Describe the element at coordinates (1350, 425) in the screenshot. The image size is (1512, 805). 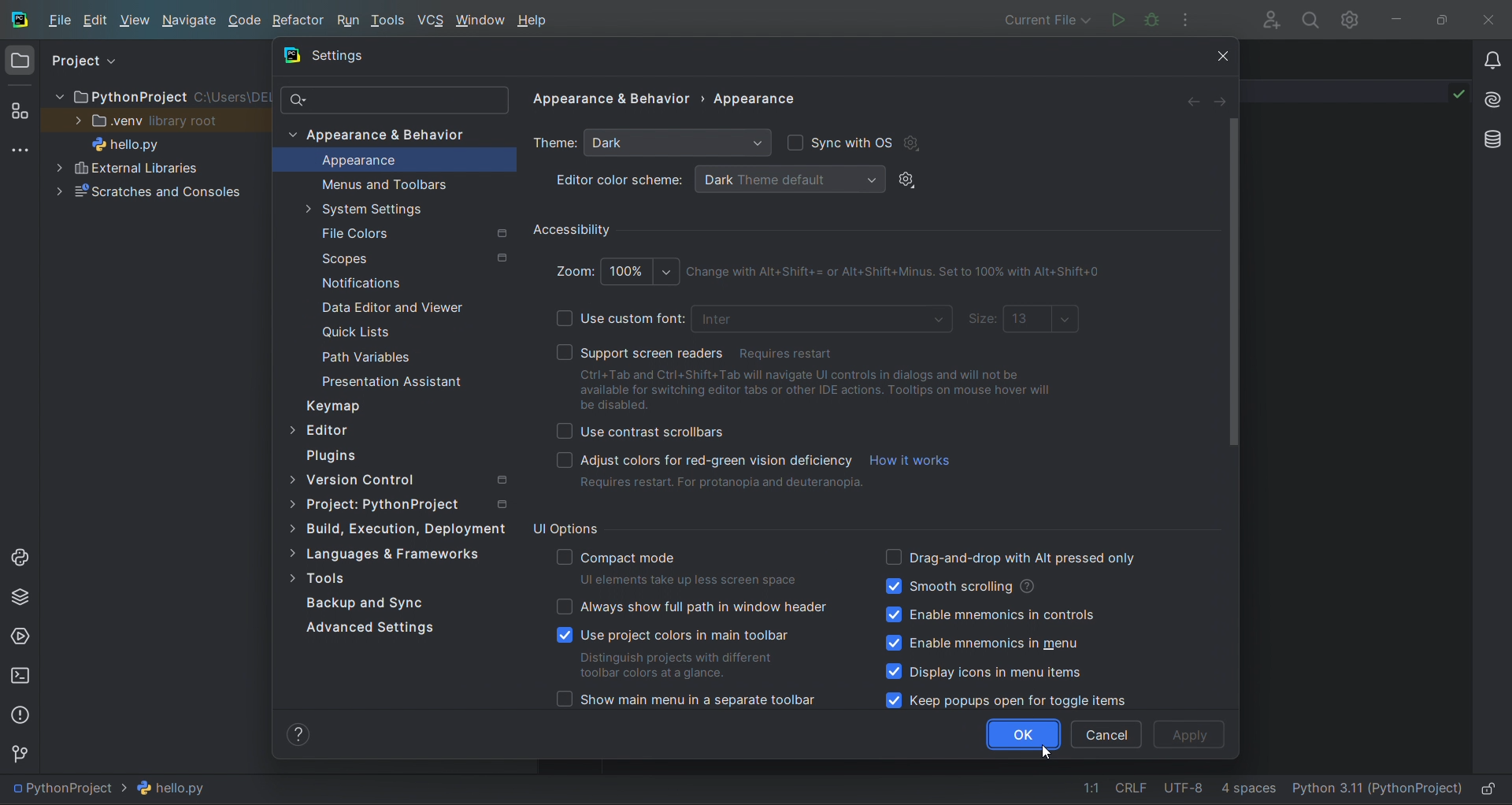
I see `text editor` at that location.